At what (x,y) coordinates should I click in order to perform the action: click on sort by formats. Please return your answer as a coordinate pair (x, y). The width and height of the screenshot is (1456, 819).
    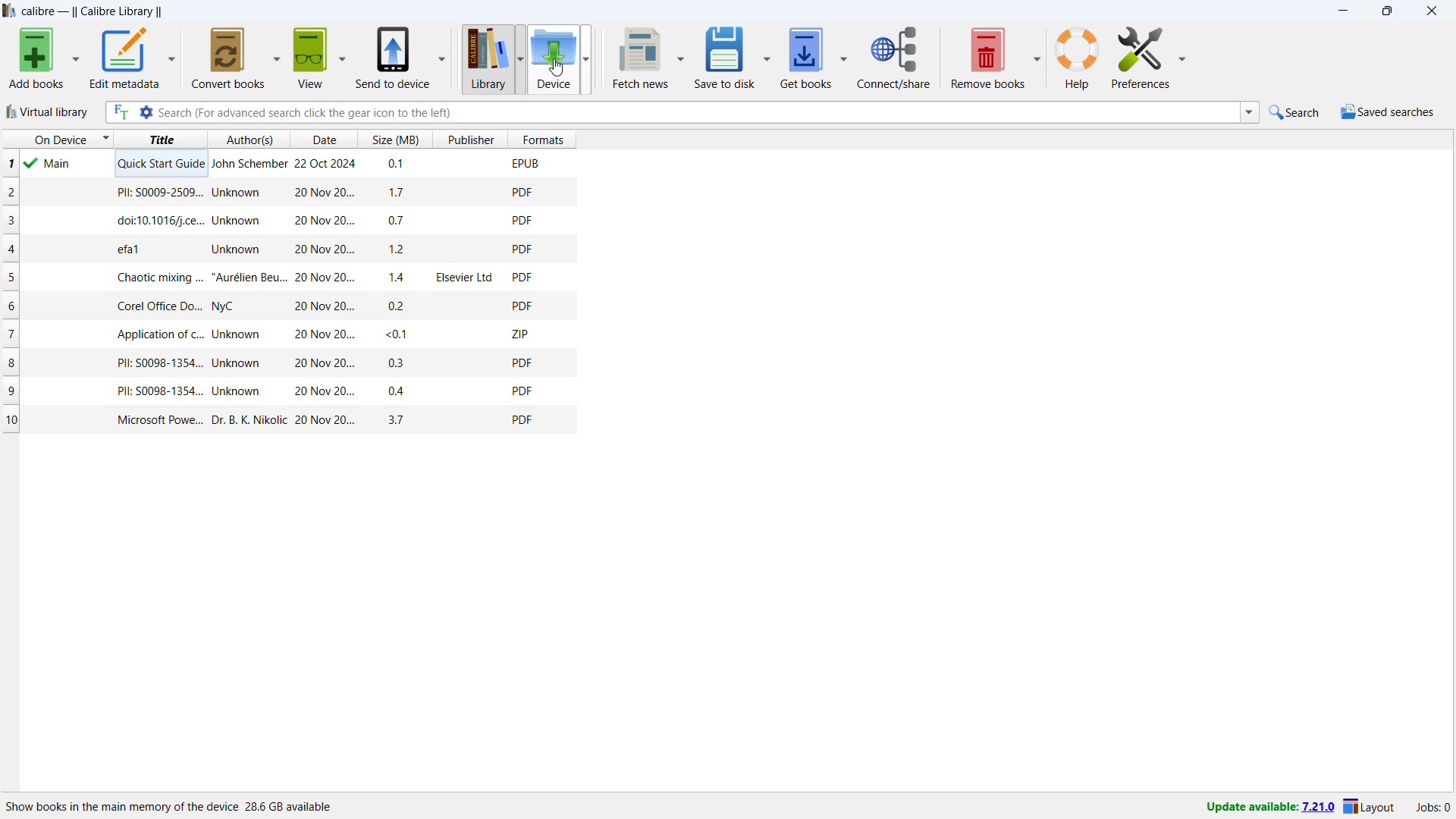
    Looking at the image, I should click on (543, 139).